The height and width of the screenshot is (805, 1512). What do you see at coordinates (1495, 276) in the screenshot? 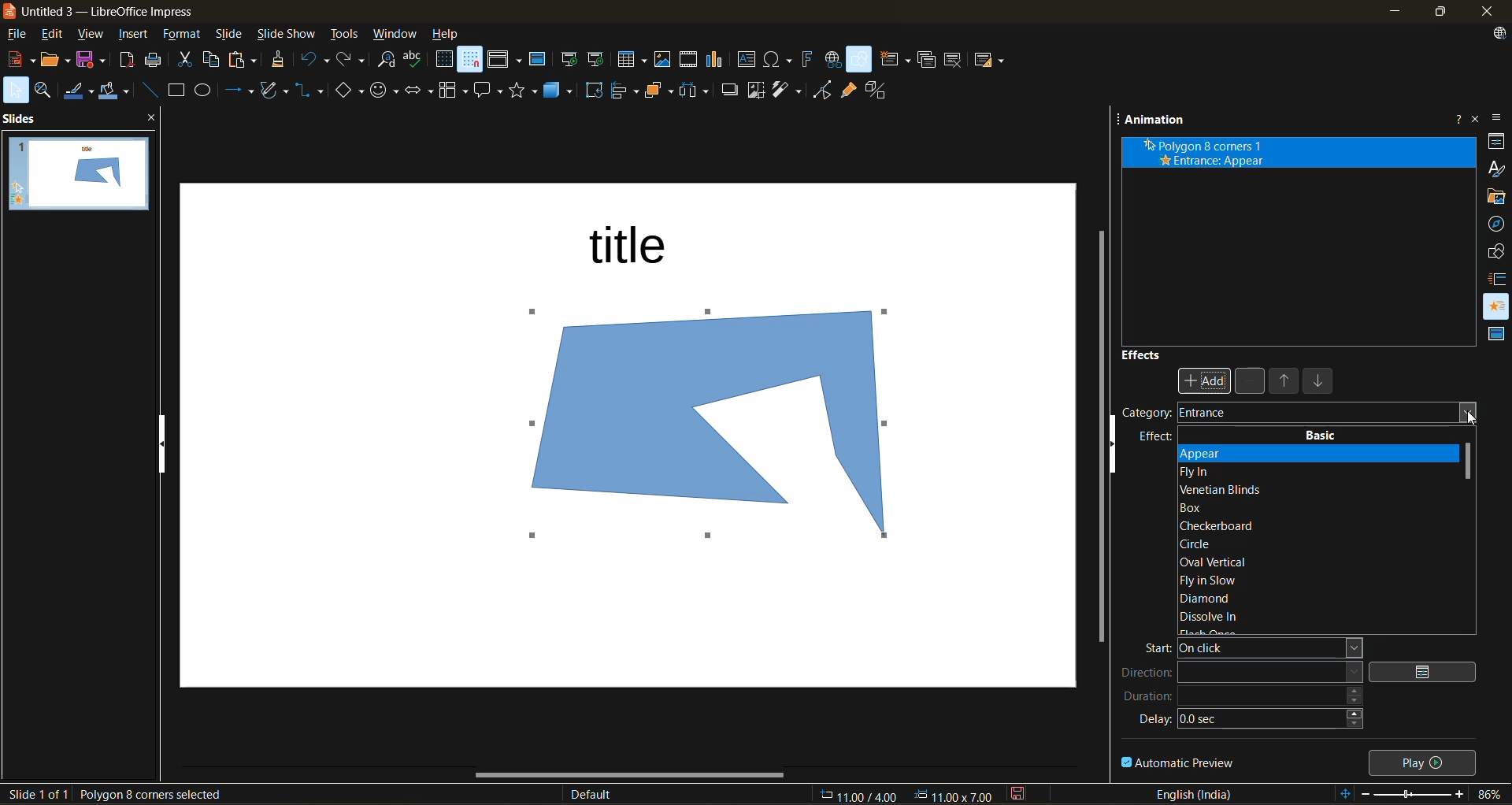
I see `slide transition` at bounding box center [1495, 276].